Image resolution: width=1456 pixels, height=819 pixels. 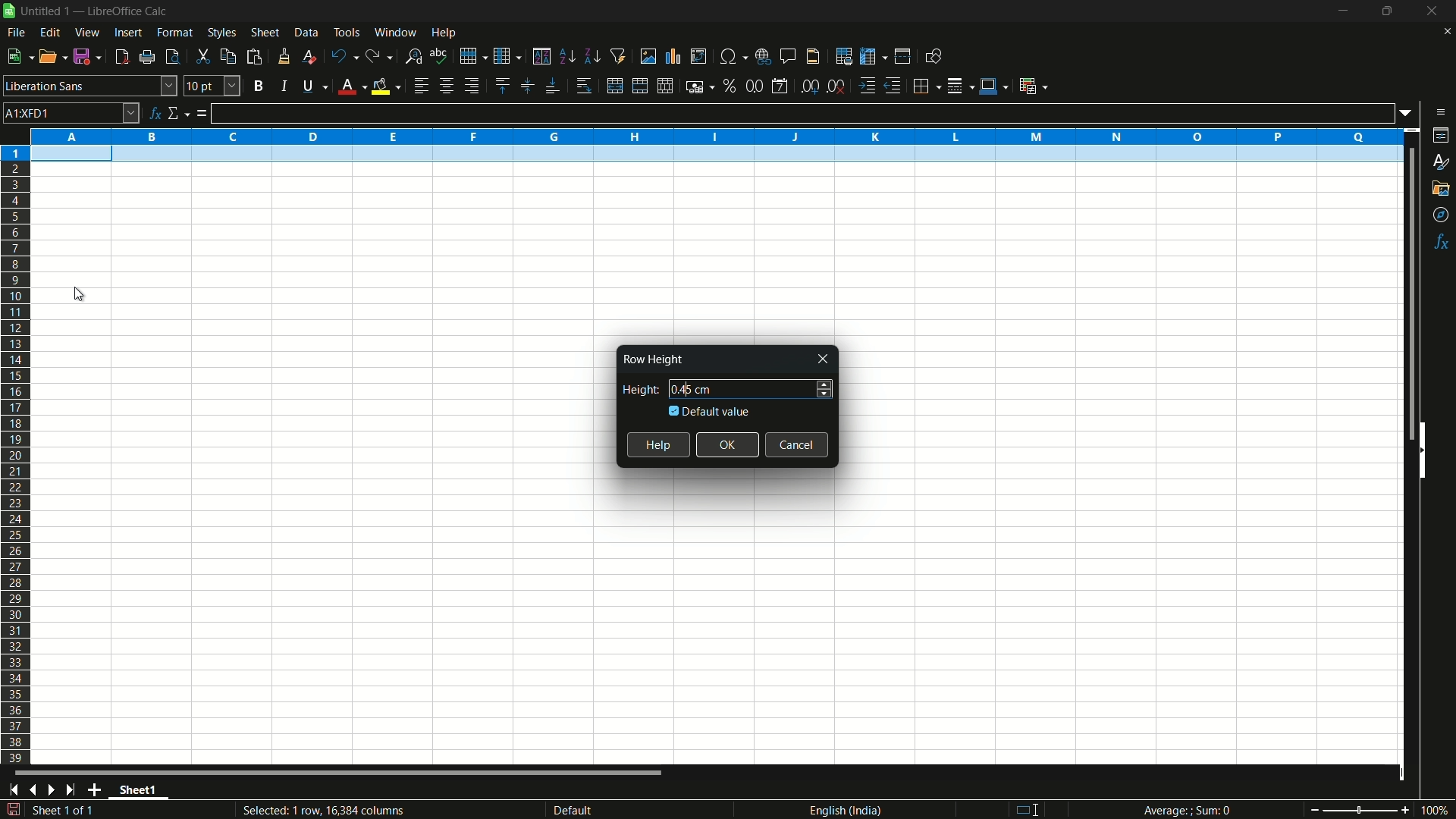 I want to click on merge and center, so click(x=638, y=86).